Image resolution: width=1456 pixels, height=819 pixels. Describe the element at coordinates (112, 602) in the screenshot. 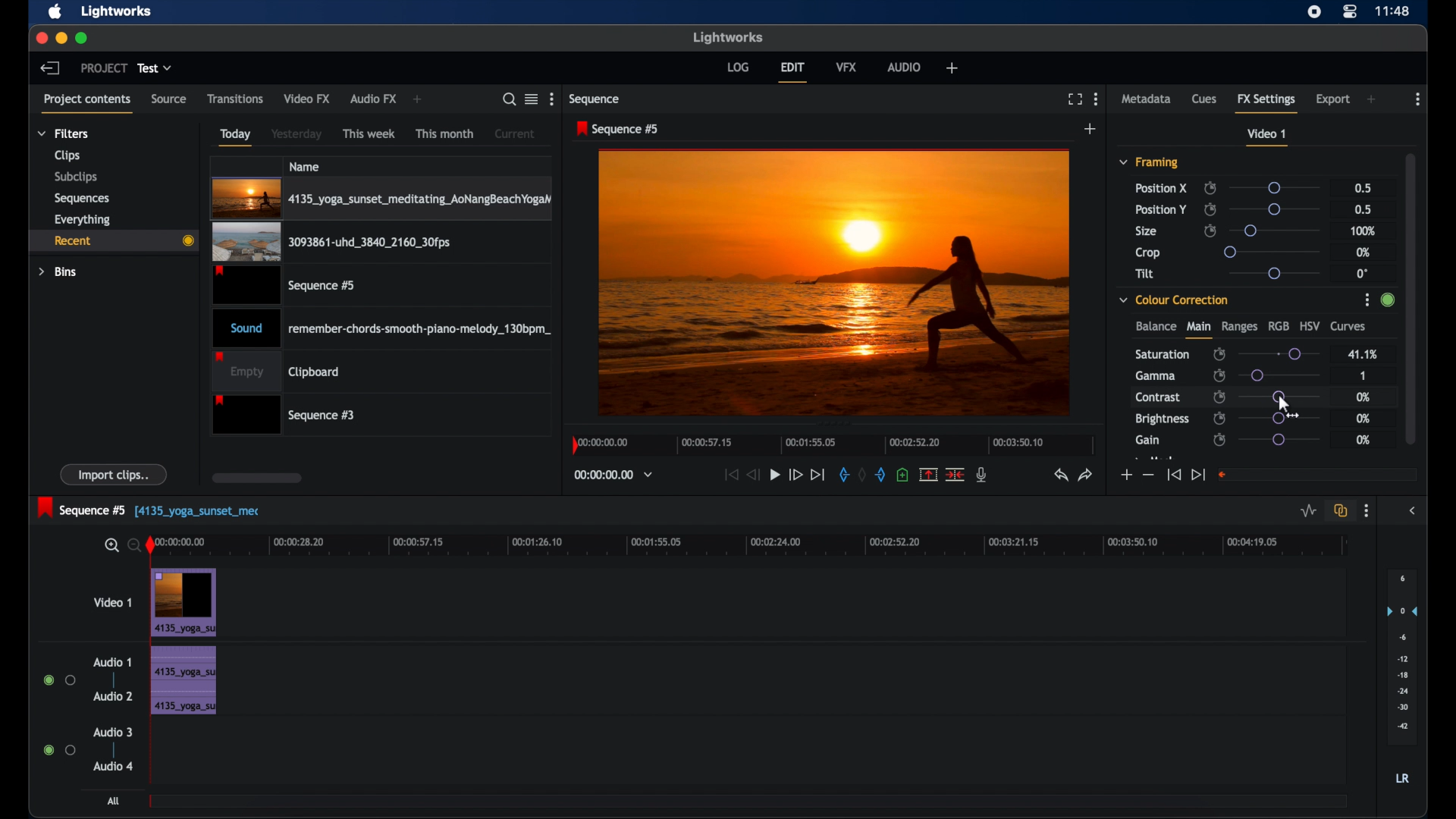

I see `video 1` at that location.